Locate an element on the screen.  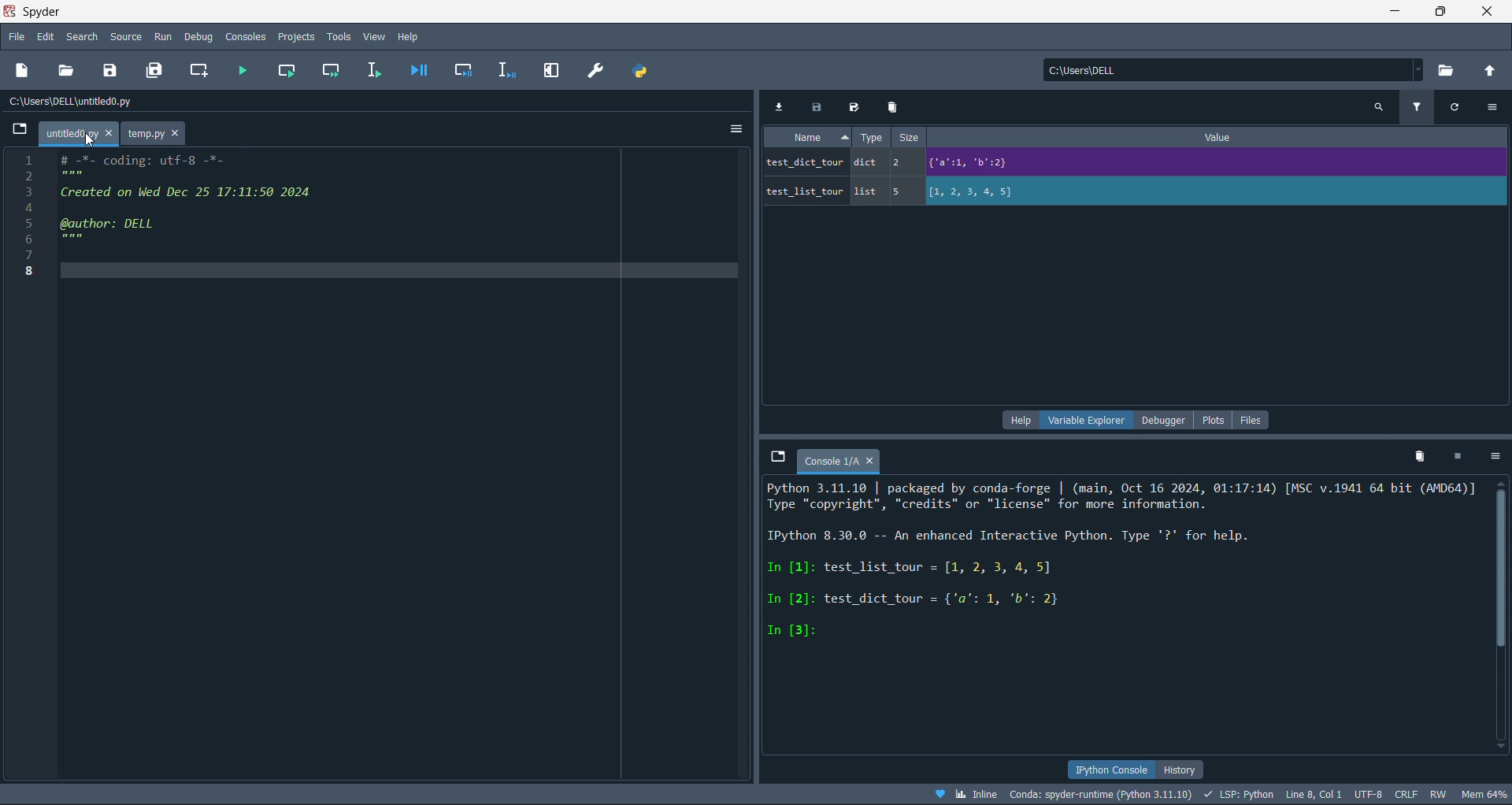
untitled0.py is located at coordinates (79, 132).